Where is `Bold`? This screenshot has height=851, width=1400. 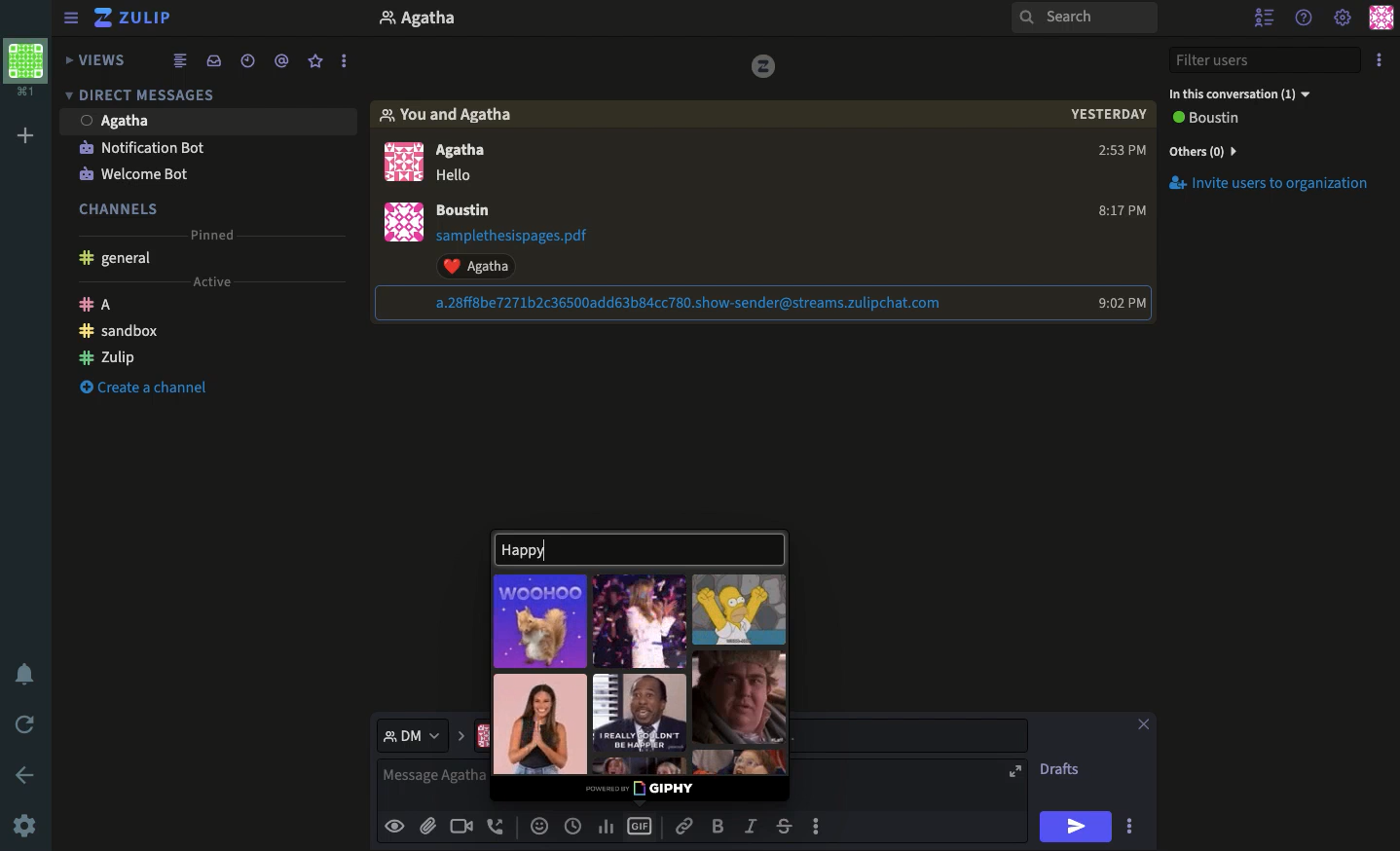 Bold is located at coordinates (718, 825).